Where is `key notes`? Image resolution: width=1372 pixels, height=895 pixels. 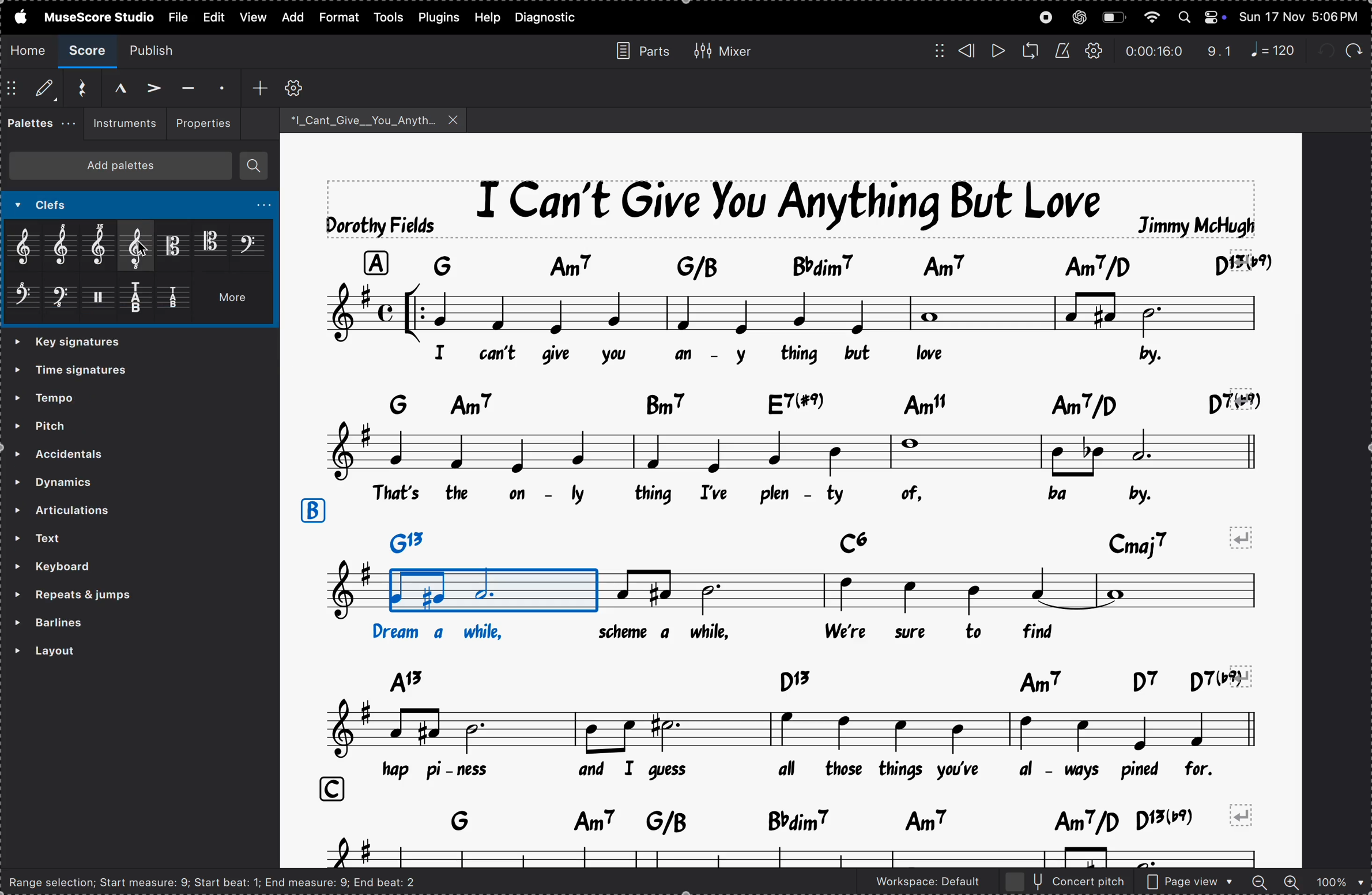
key notes is located at coordinates (795, 819).